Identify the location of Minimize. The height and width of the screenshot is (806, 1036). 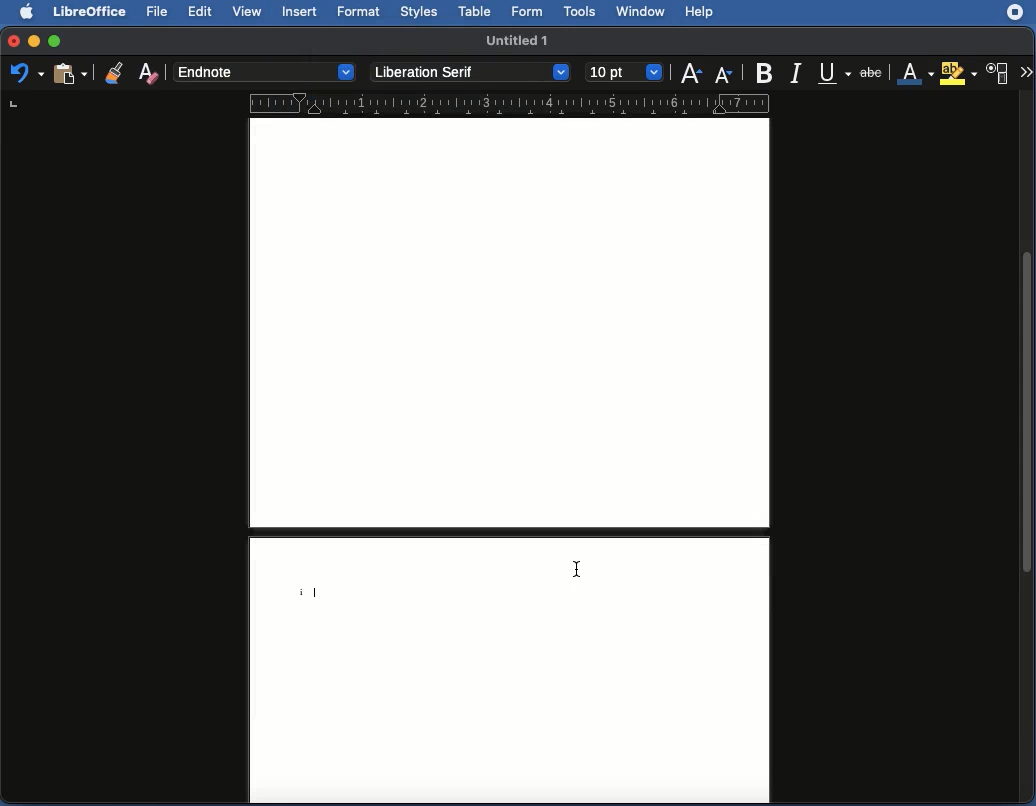
(32, 40).